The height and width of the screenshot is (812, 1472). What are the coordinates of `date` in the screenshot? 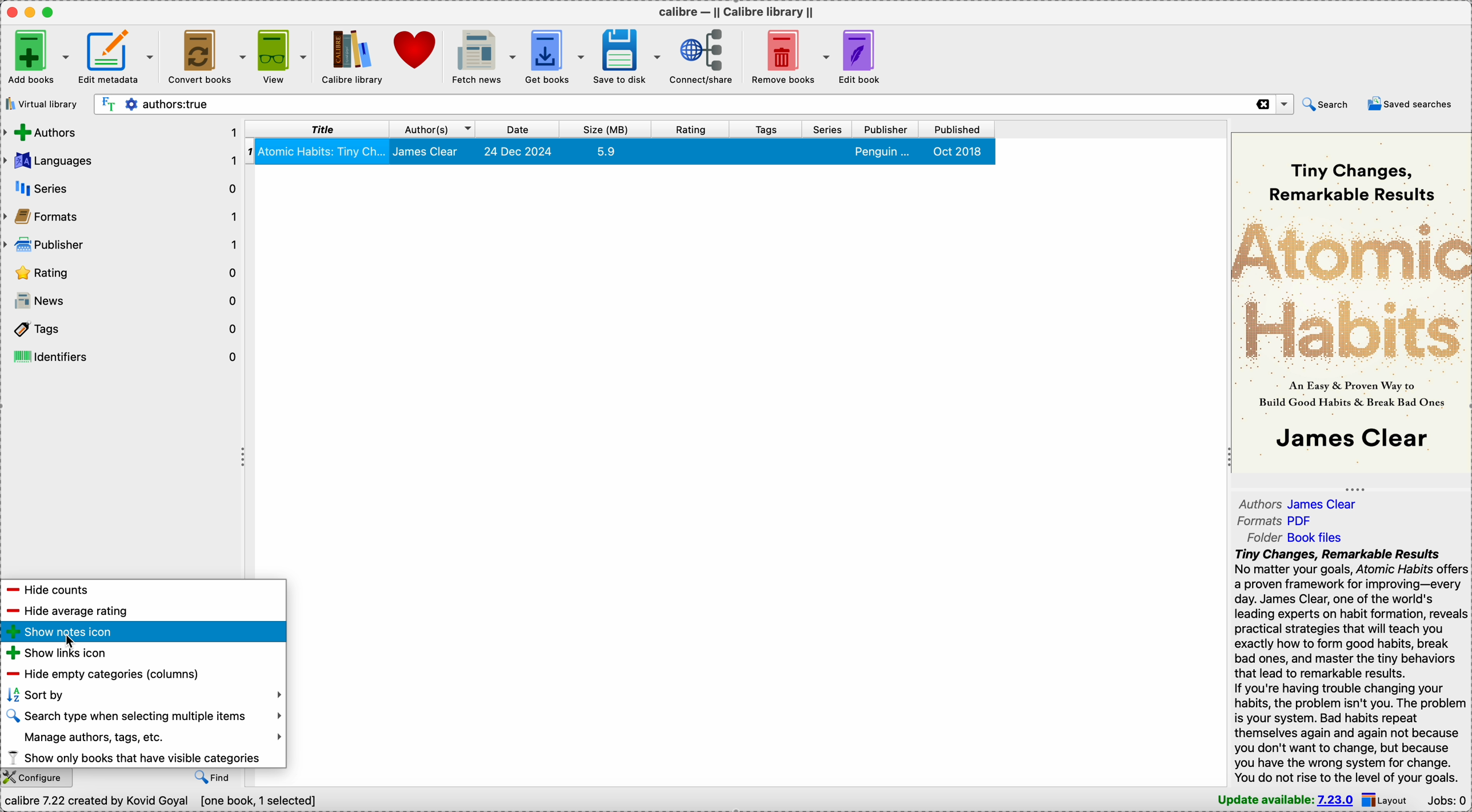 It's located at (519, 129).